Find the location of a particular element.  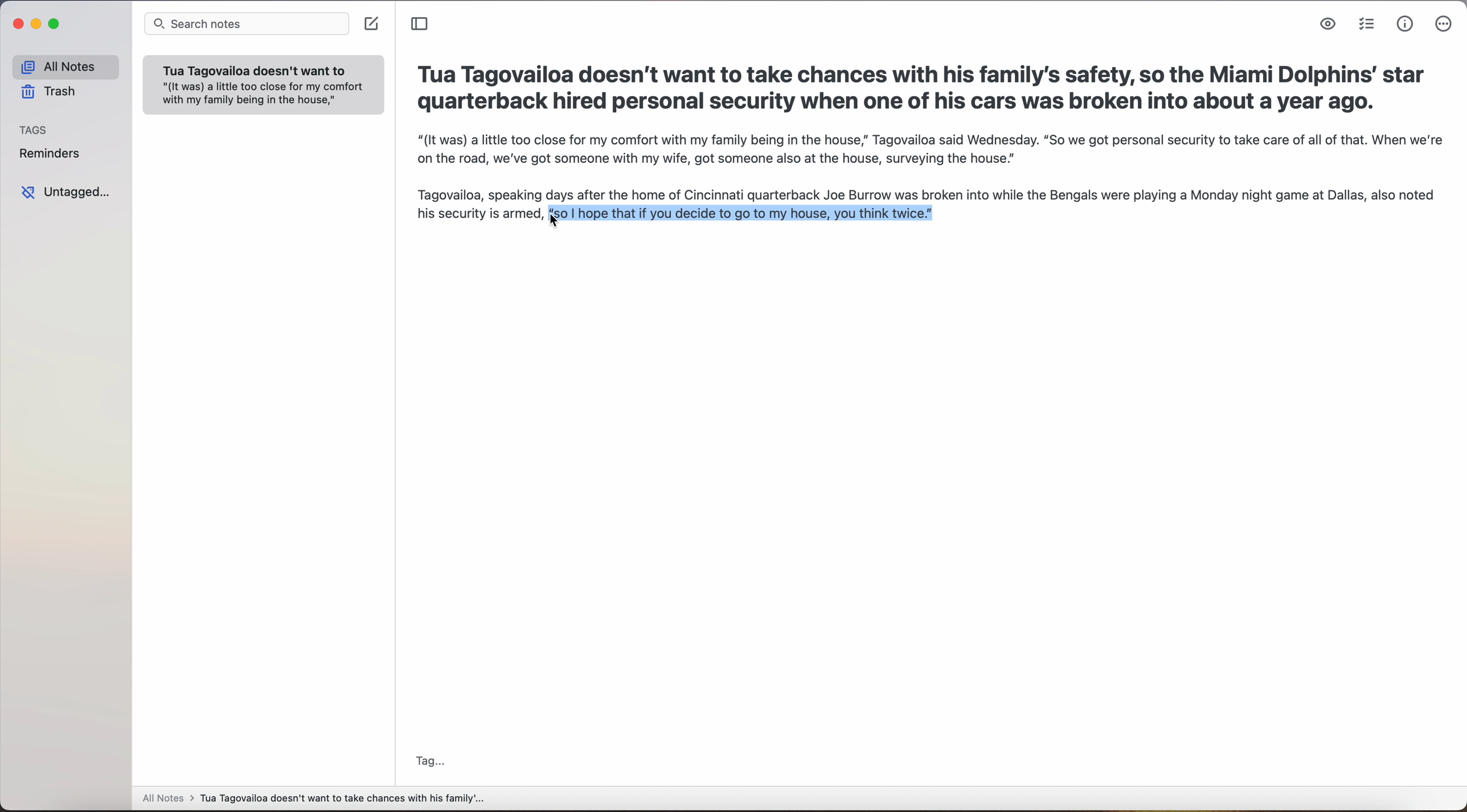

more options is located at coordinates (1443, 24).